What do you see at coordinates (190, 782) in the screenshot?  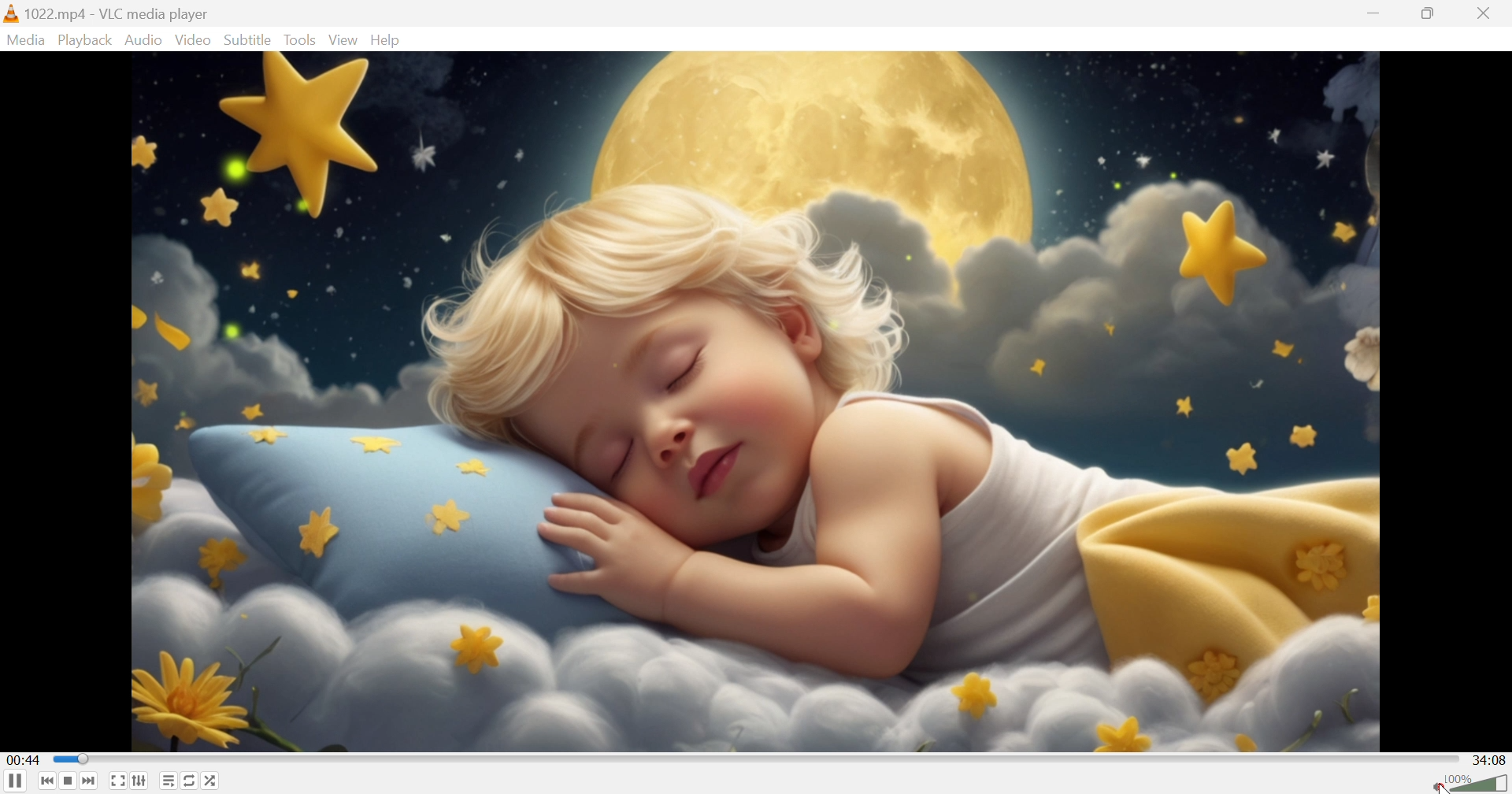 I see `Click to toggle between loop all, loop one and no loop` at bounding box center [190, 782].